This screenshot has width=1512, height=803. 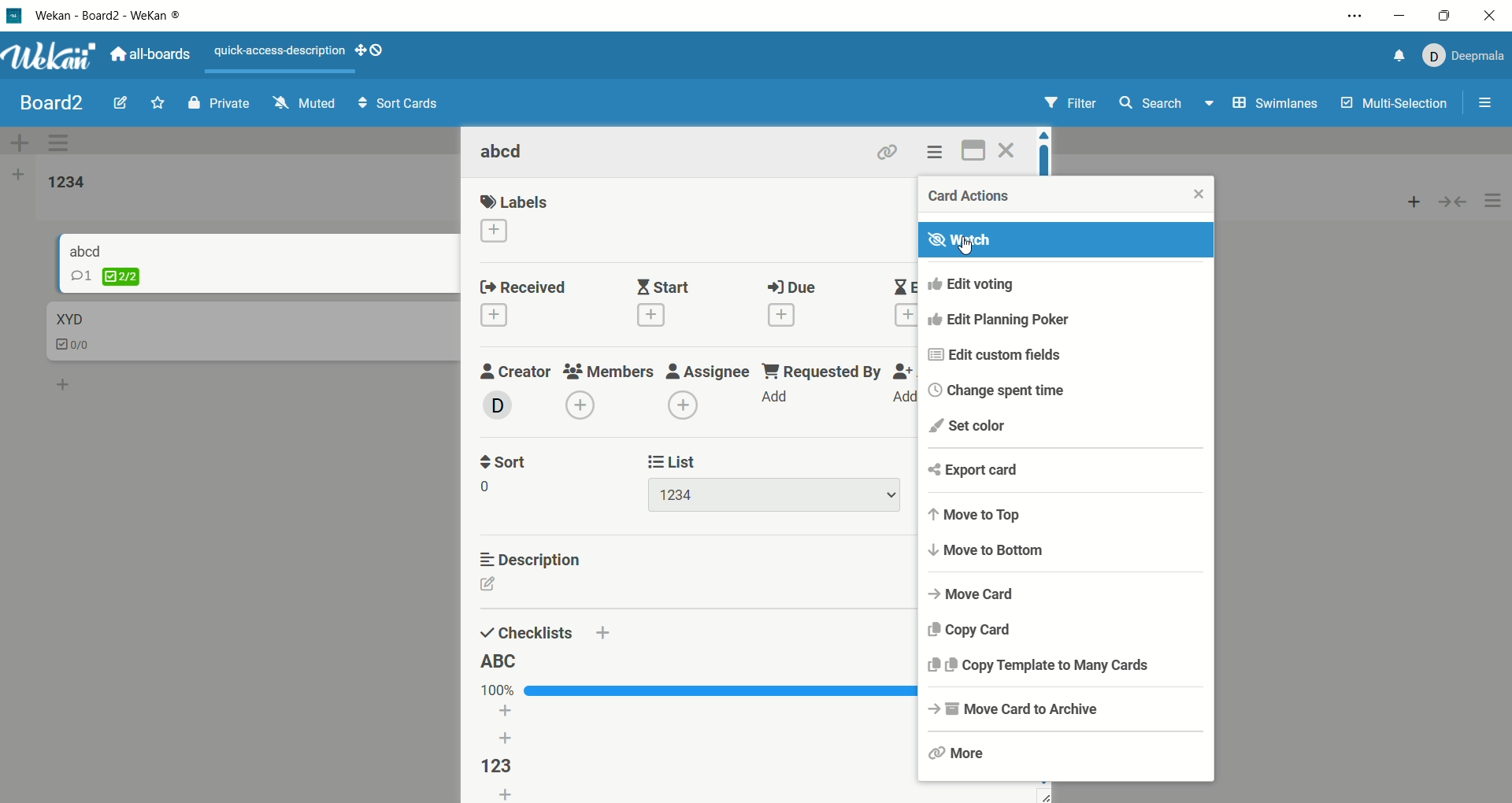 I want to click on move to top, so click(x=1069, y=515).